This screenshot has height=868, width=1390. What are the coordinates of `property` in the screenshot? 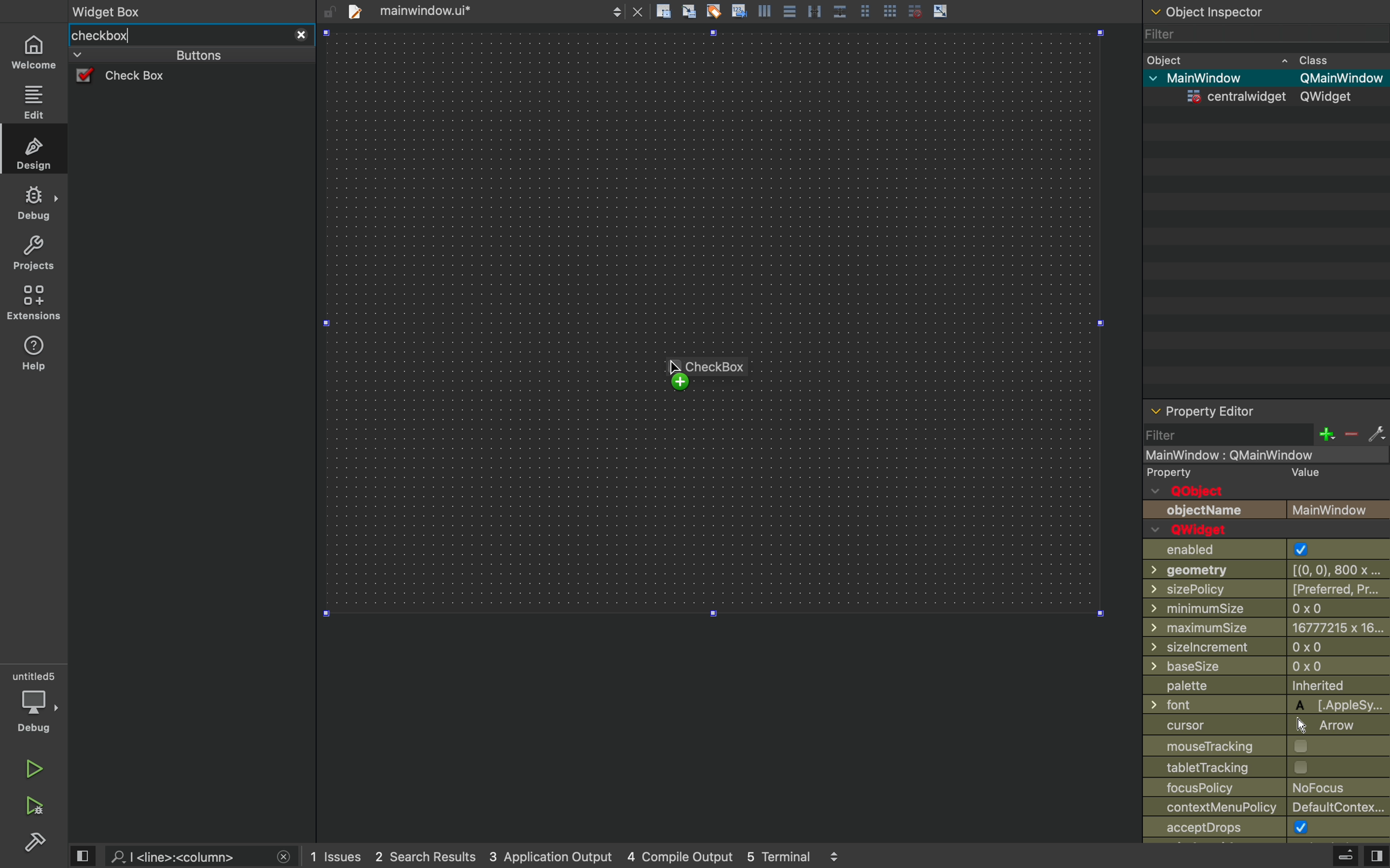 It's located at (1171, 474).